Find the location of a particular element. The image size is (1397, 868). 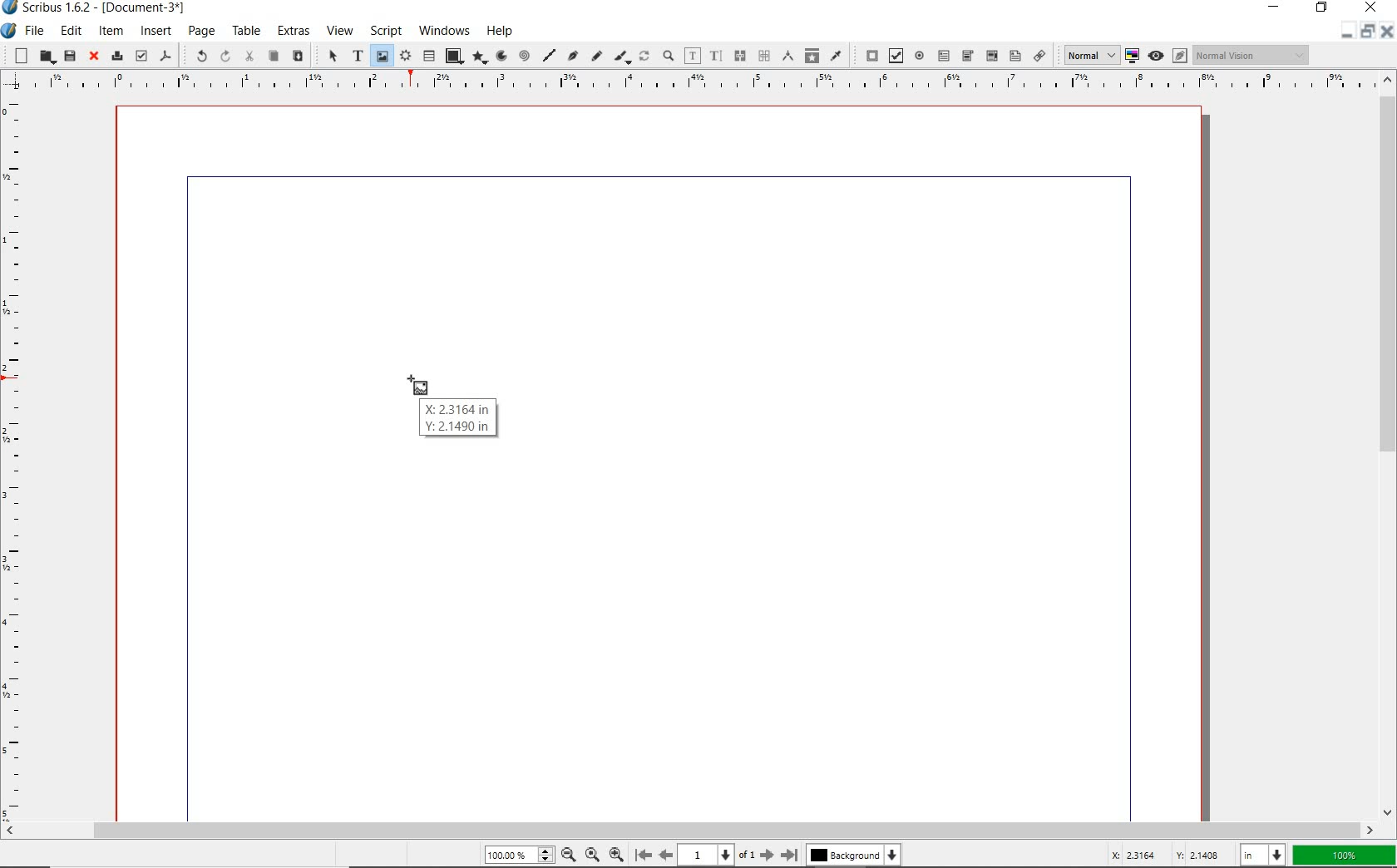

spiral is located at coordinates (523, 57).